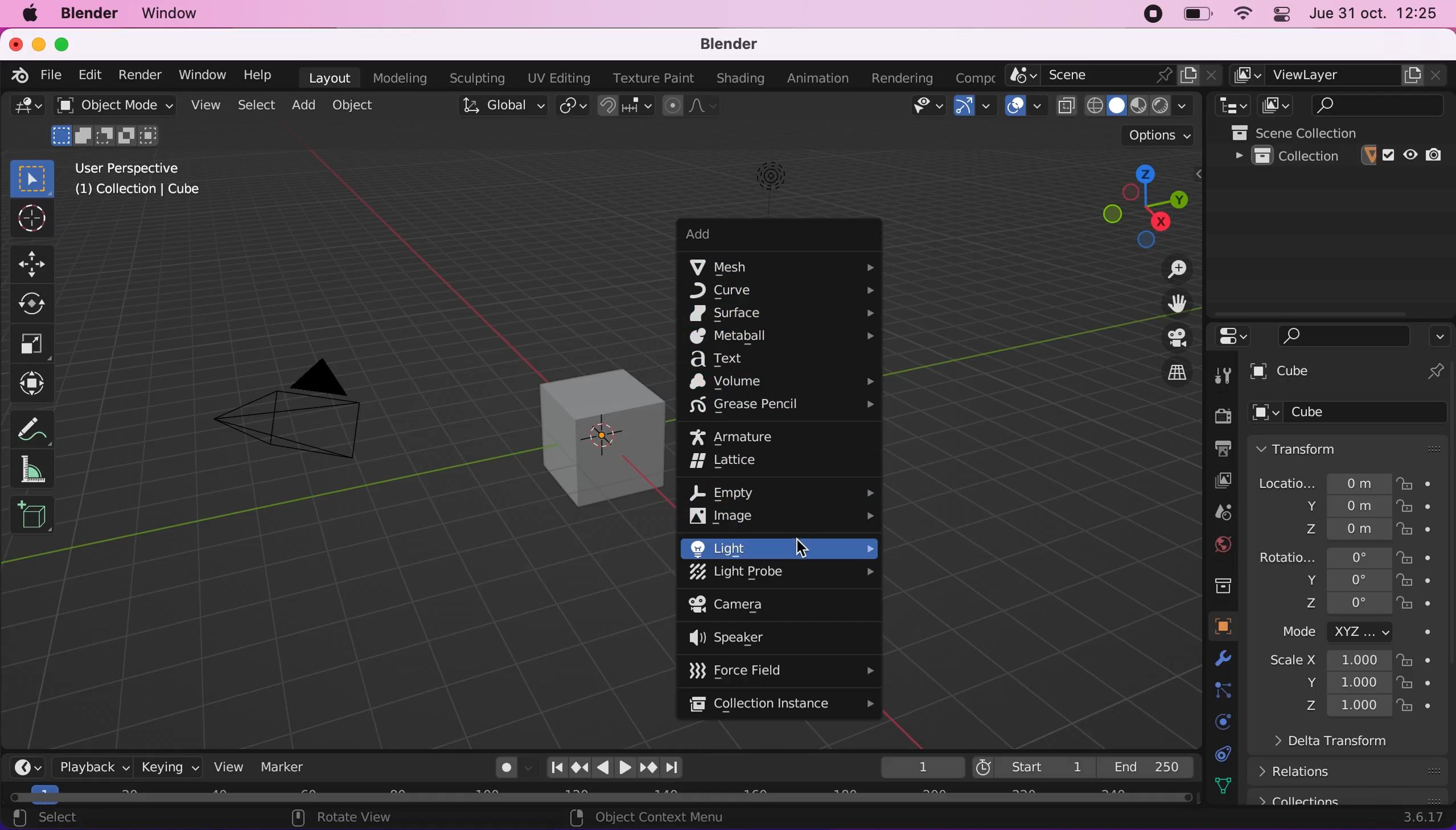 The image size is (1456, 830). What do you see at coordinates (601, 797) in the screenshot?
I see `horizontal slider` at bounding box center [601, 797].